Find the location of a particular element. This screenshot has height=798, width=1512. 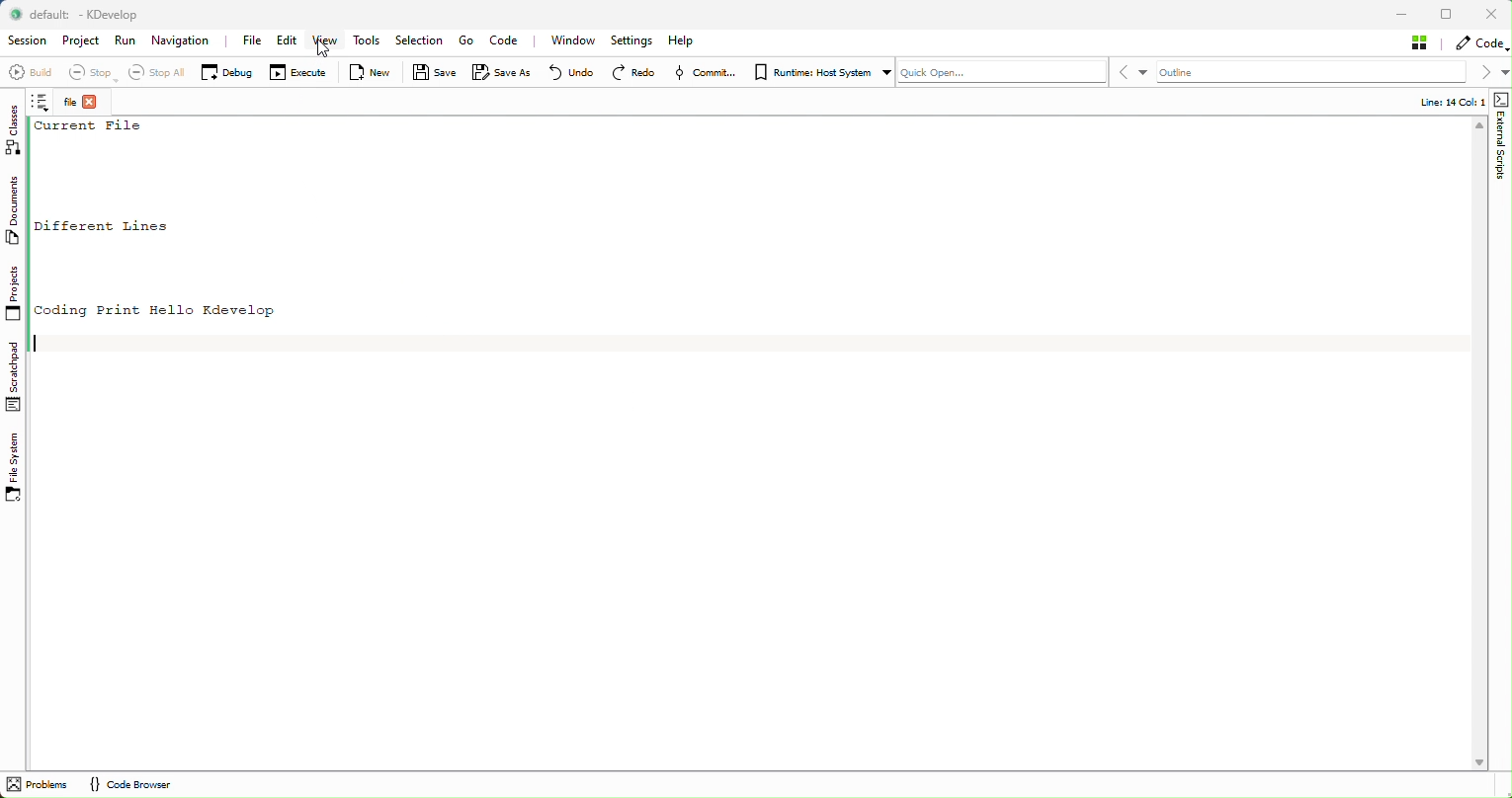

Save as is located at coordinates (500, 74).